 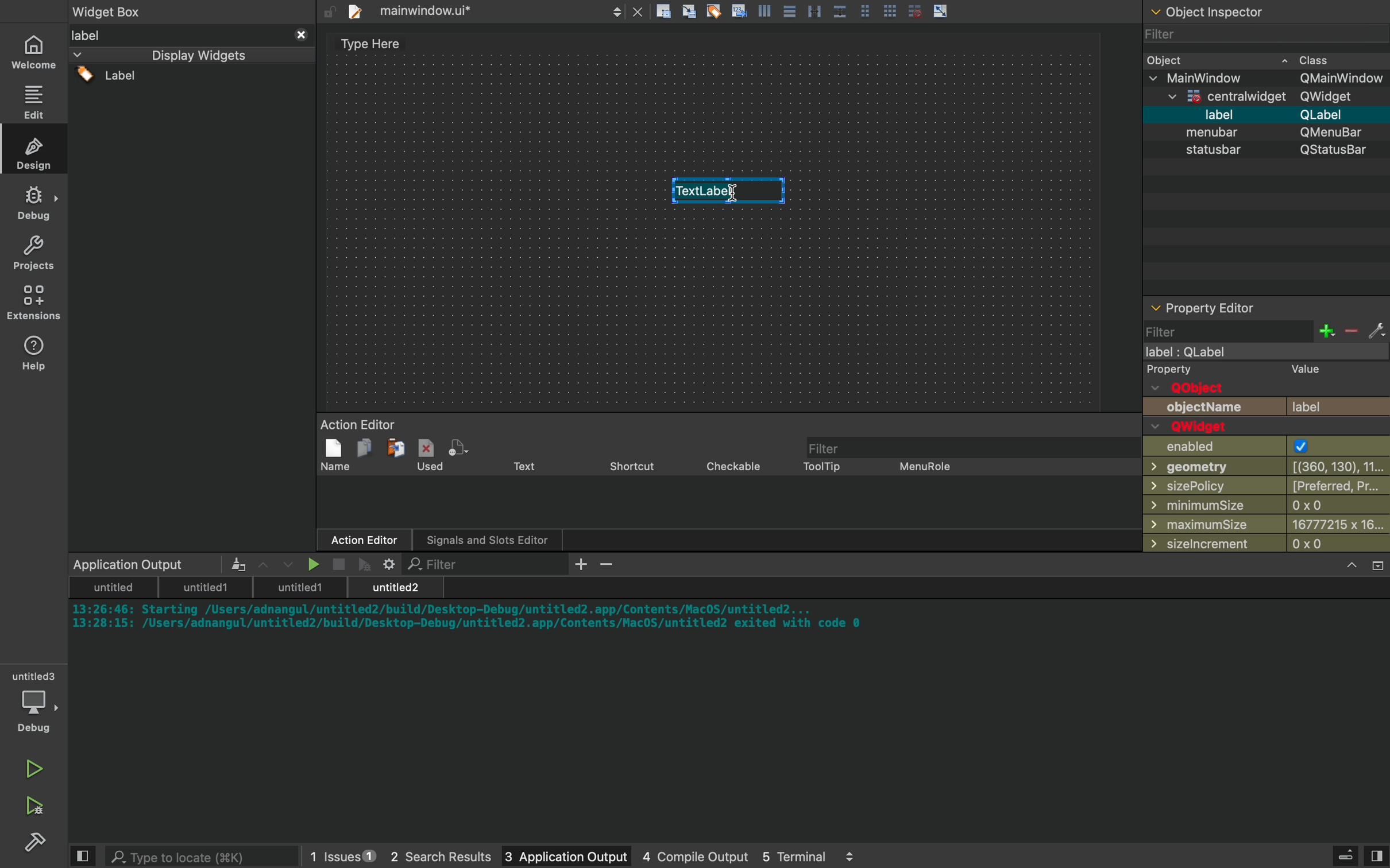 I want to click on , so click(x=34, y=203).